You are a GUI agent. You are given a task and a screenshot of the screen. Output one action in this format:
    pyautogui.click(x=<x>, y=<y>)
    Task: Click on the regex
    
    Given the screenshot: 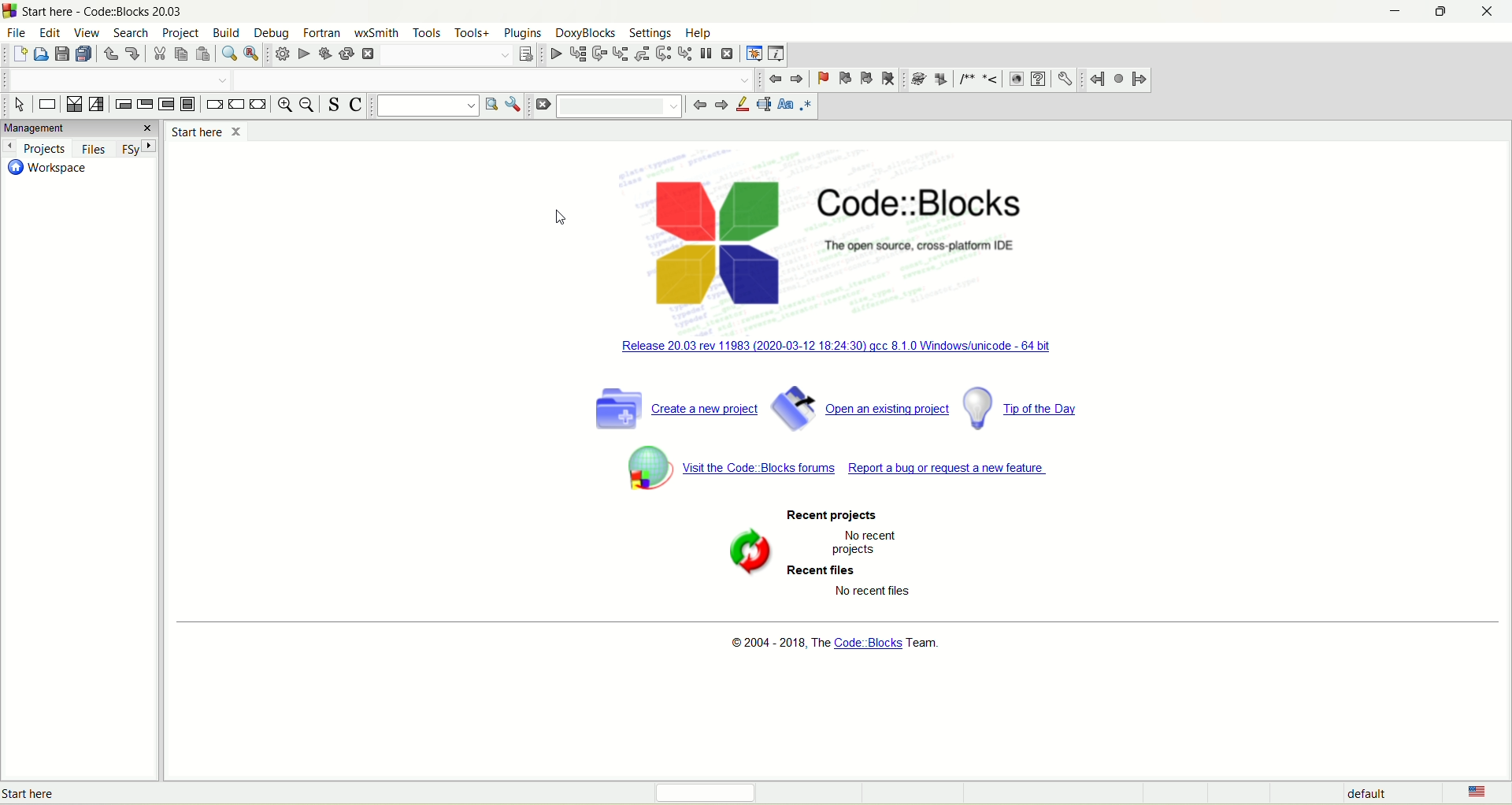 What is the action you would take?
    pyautogui.click(x=806, y=107)
    